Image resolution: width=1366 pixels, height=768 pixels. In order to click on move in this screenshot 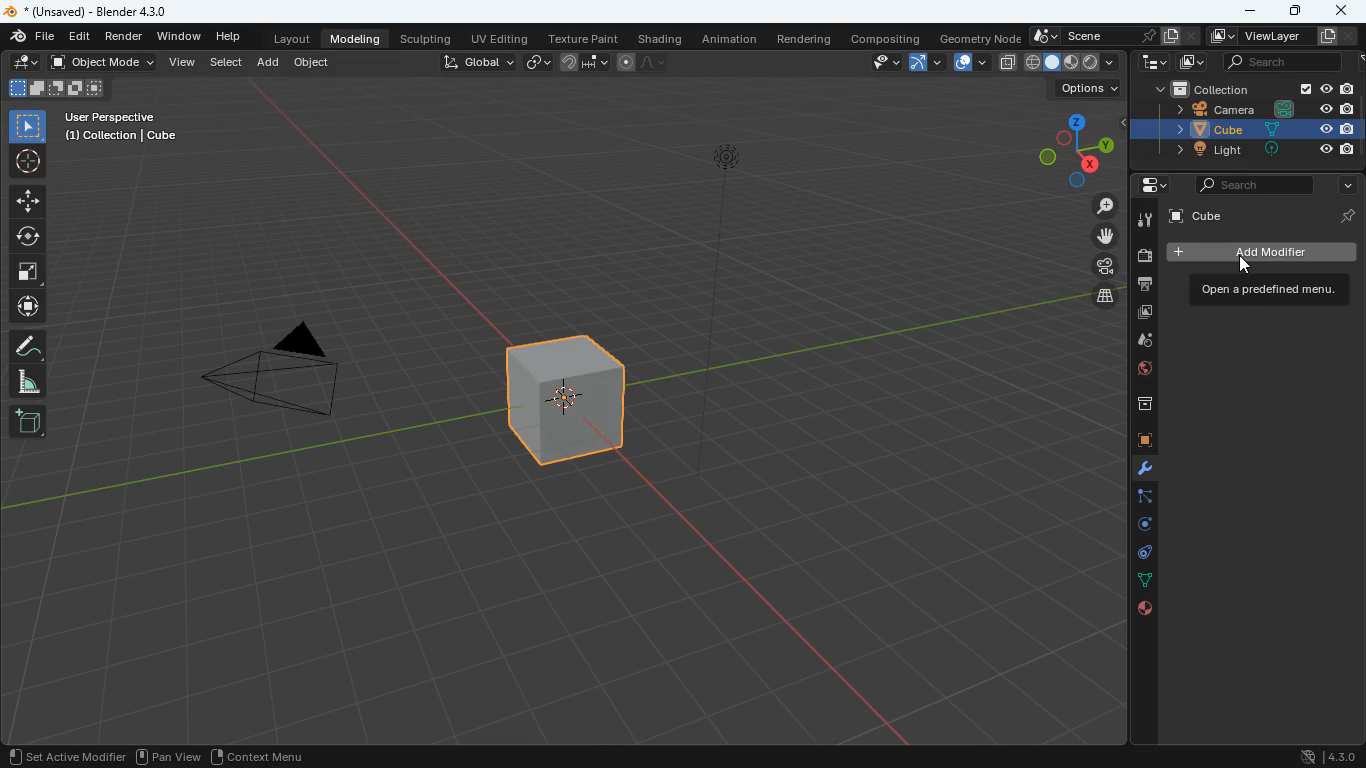, I will do `click(30, 308)`.